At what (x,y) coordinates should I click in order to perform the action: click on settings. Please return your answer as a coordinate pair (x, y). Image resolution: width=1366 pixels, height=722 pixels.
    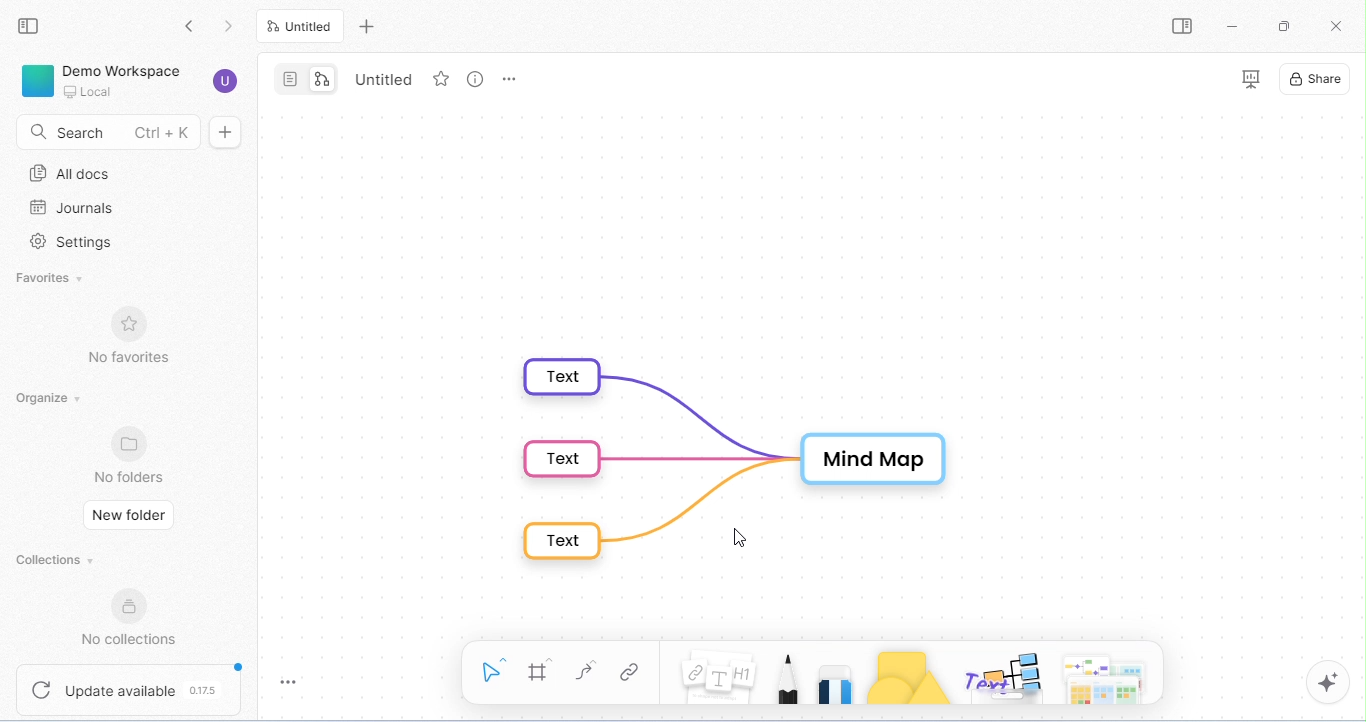
    Looking at the image, I should click on (73, 241).